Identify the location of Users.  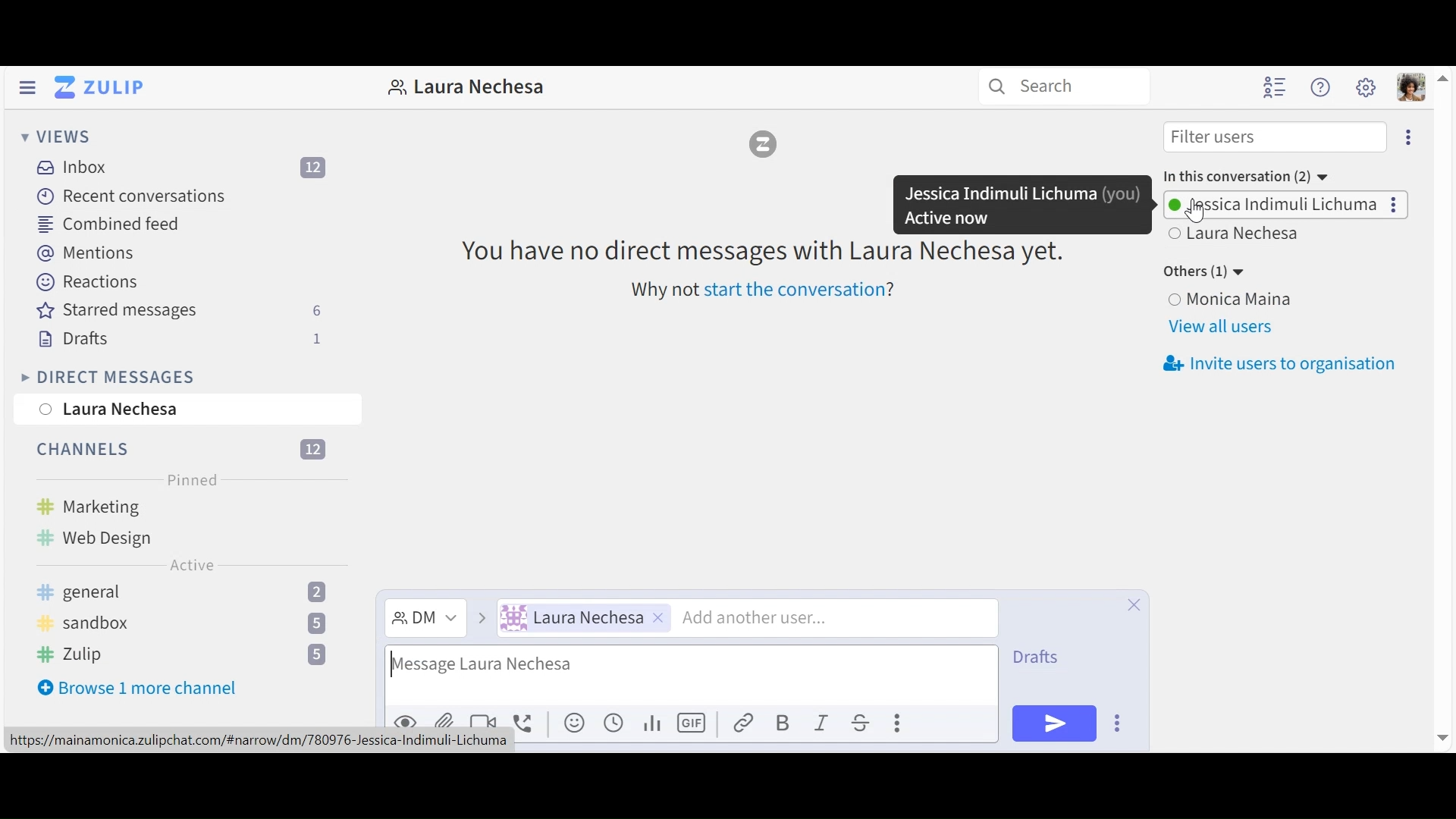
(1282, 206).